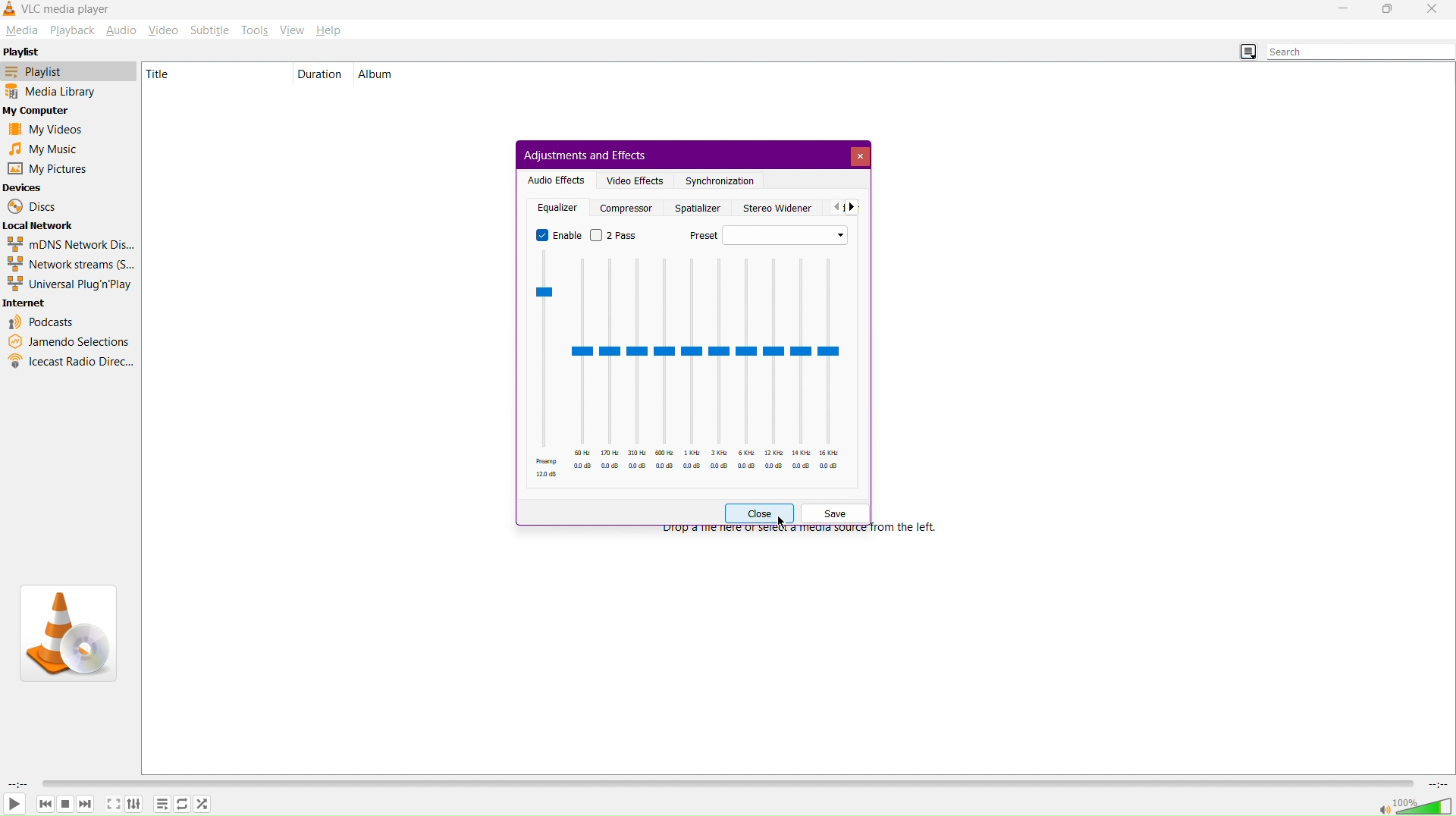  Describe the element at coordinates (257, 29) in the screenshot. I see `Tools` at that location.